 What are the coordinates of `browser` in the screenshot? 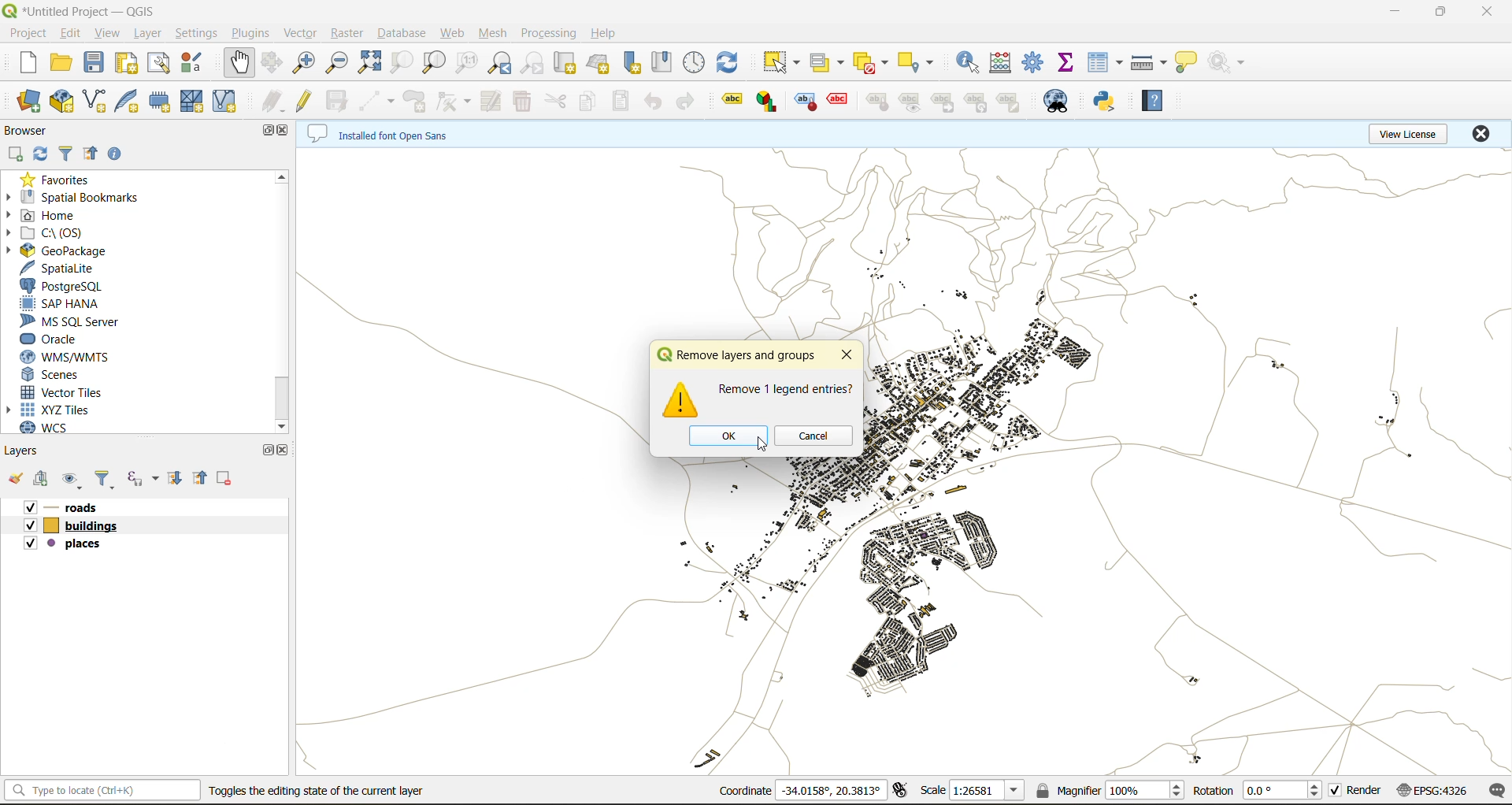 It's located at (33, 131).